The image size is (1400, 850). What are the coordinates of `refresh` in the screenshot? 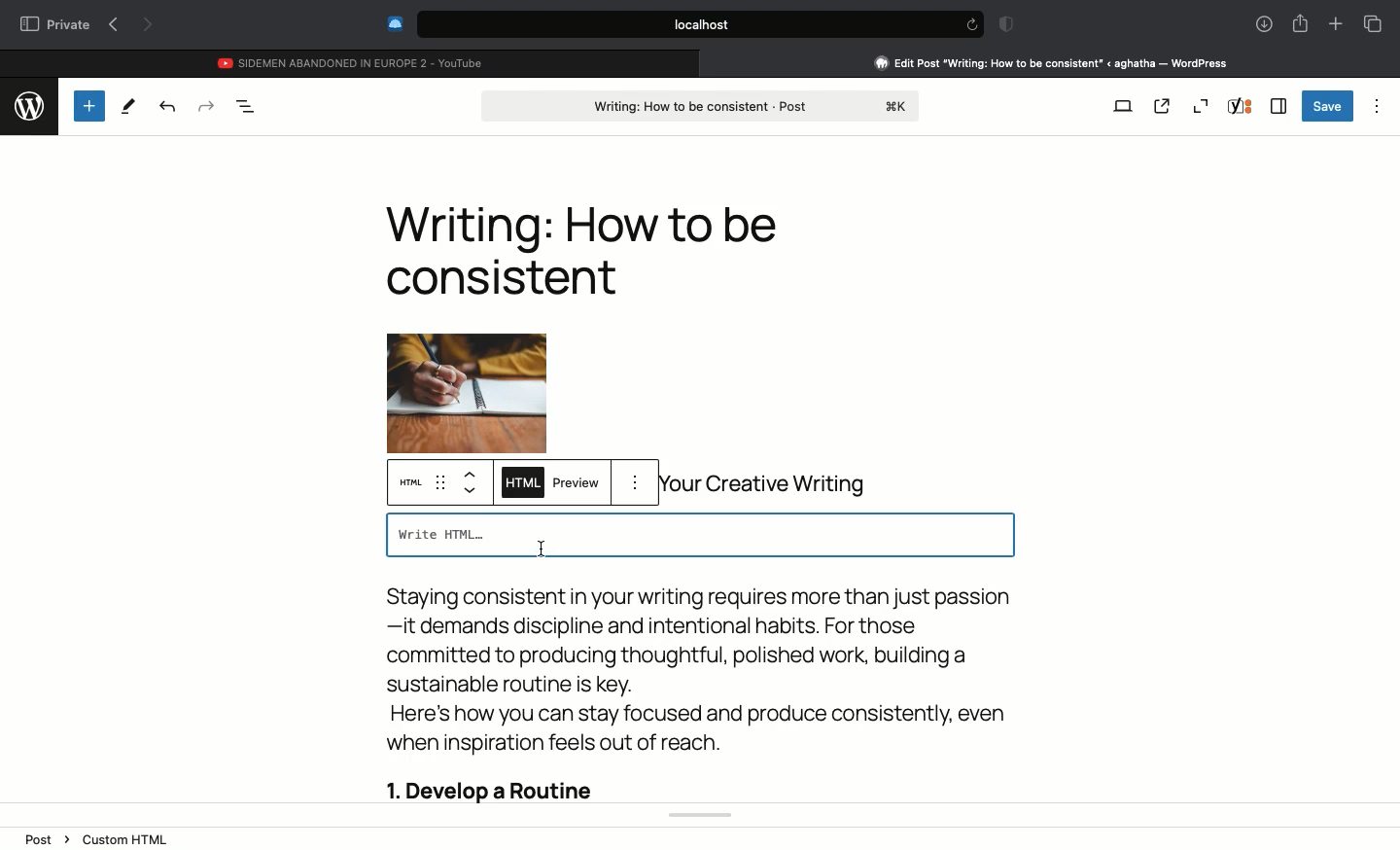 It's located at (970, 24).